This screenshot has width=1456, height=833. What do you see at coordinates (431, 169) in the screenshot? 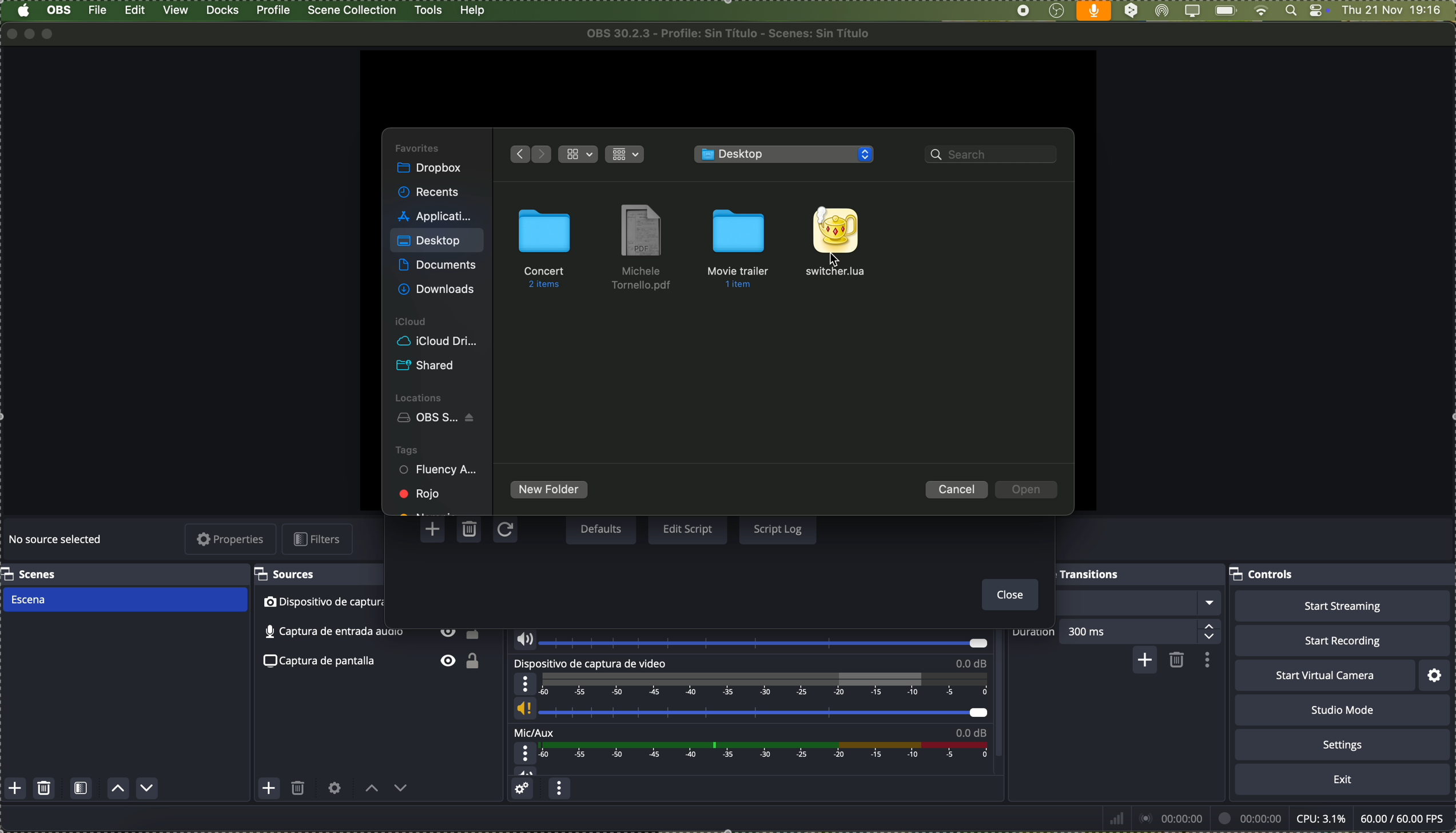
I see `dropbox` at bounding box center [431, 169].